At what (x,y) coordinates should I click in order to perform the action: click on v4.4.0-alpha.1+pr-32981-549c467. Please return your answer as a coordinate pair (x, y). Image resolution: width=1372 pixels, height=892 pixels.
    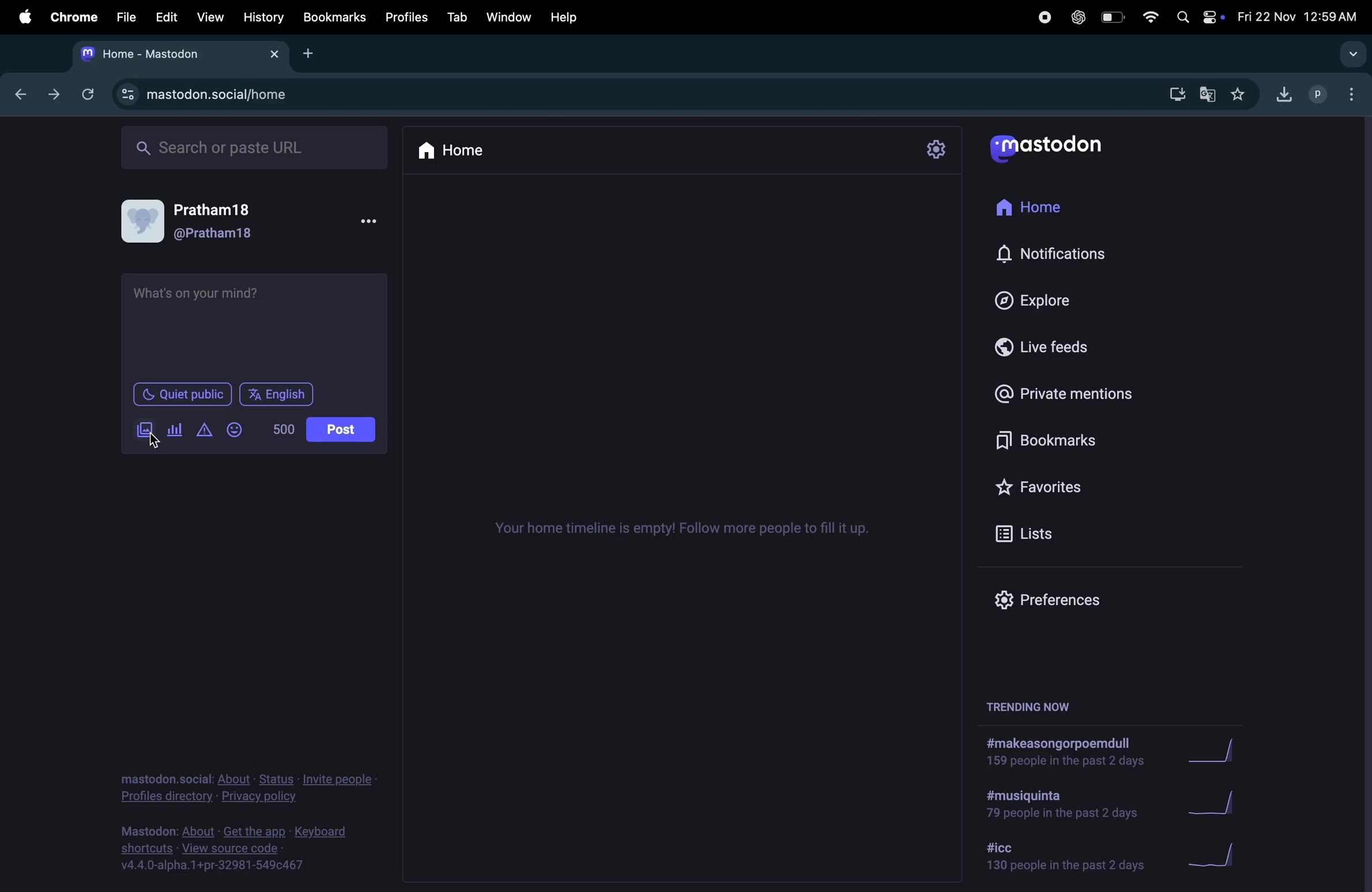
    Looking at the image, I should click on (212, 866).